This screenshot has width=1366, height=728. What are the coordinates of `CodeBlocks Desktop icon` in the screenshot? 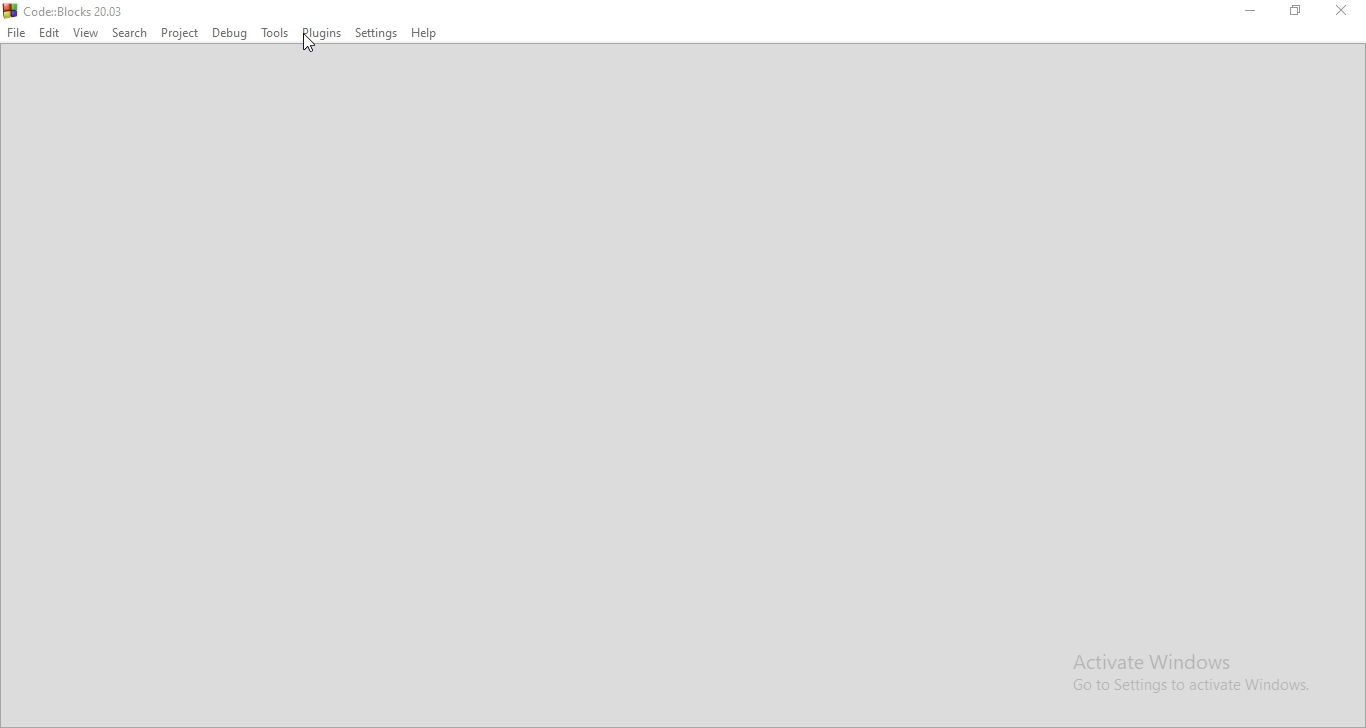 It's located at (9, 10).